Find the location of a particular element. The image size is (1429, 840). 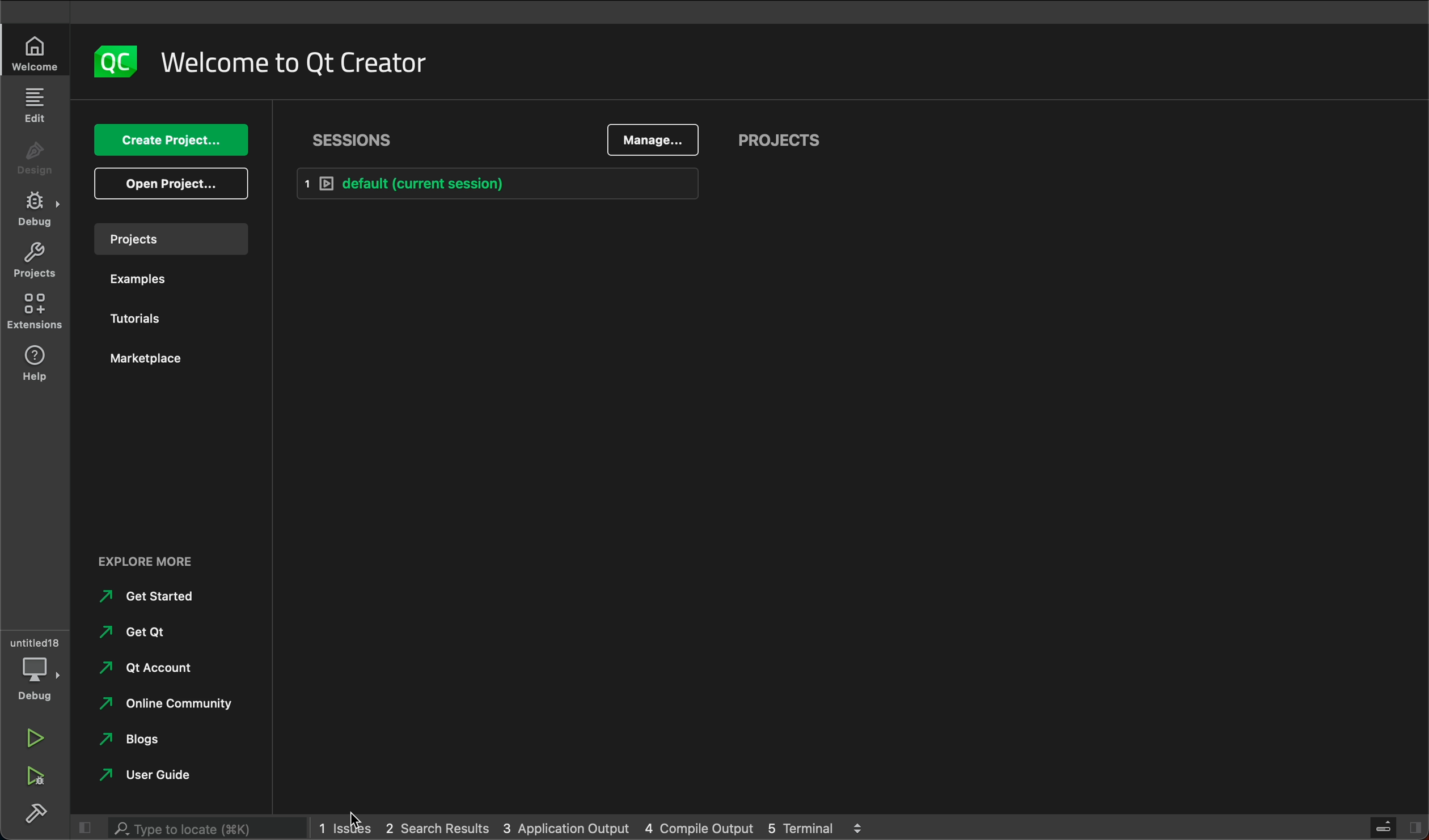

close slidebar is located at coordinates (83, 827).